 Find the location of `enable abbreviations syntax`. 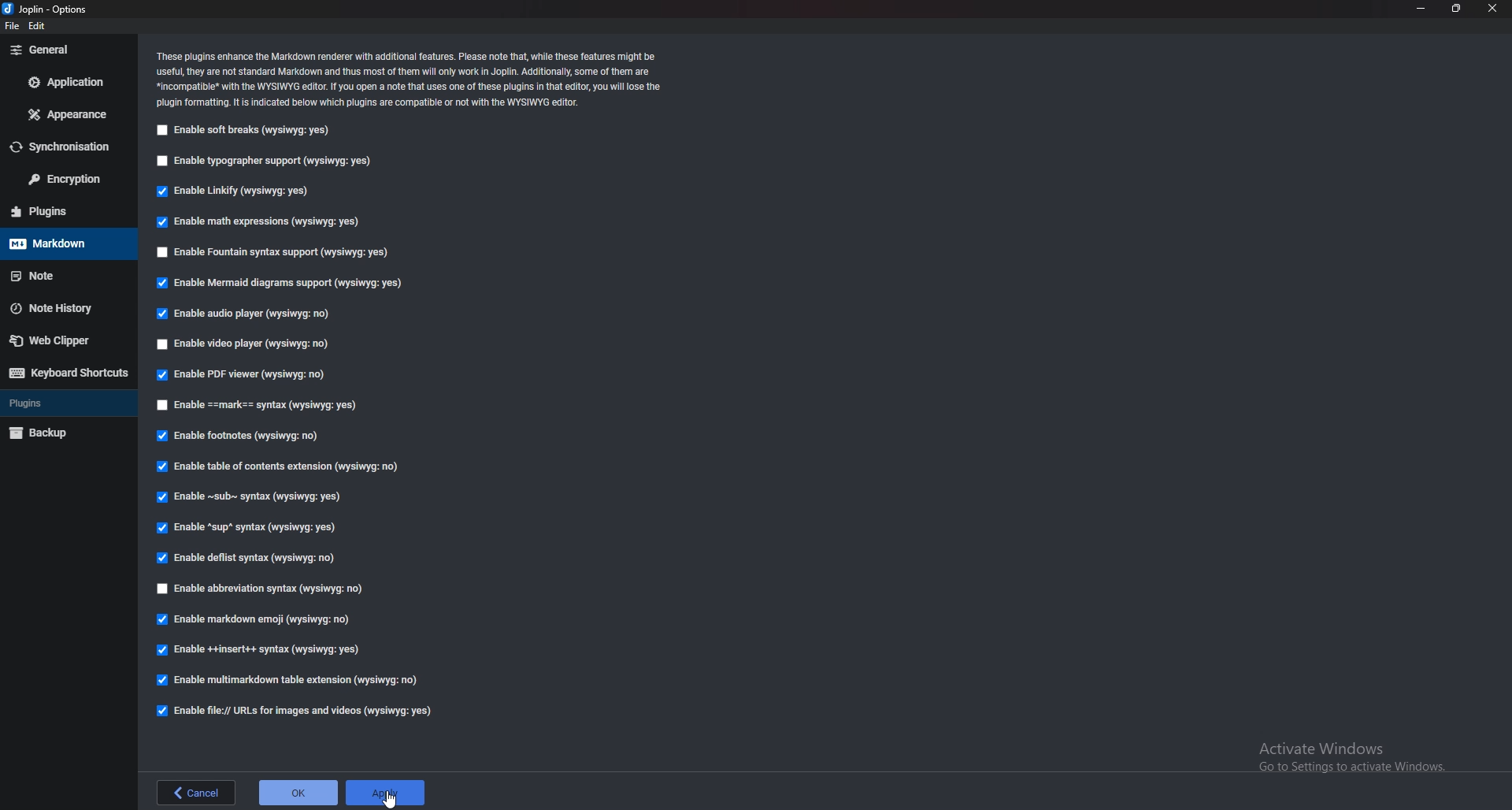

enable abbreviations syntax is located at coordinates (282, 590).